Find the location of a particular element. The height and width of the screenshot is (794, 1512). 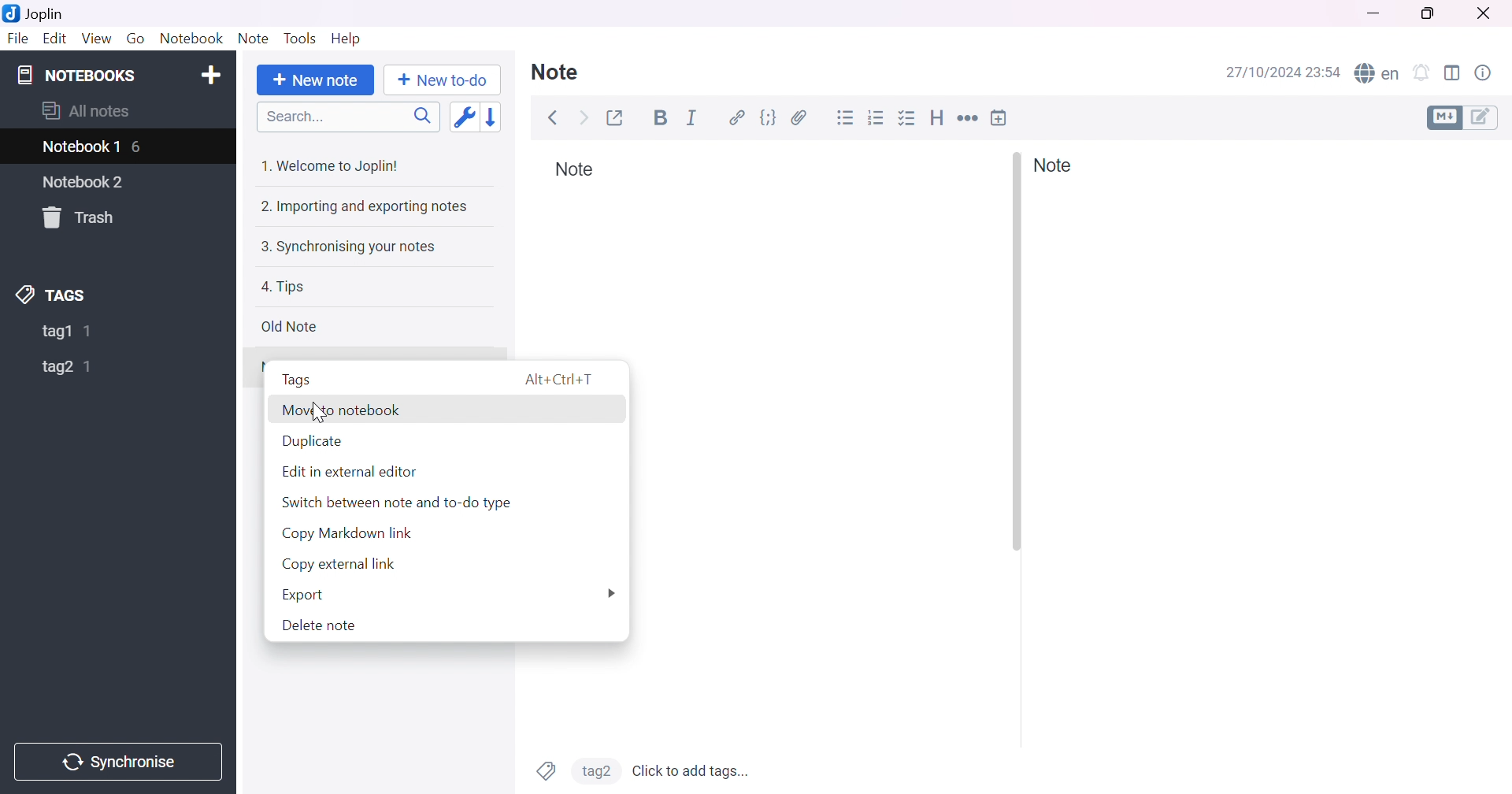

Note is located at coordinates (253, 38).